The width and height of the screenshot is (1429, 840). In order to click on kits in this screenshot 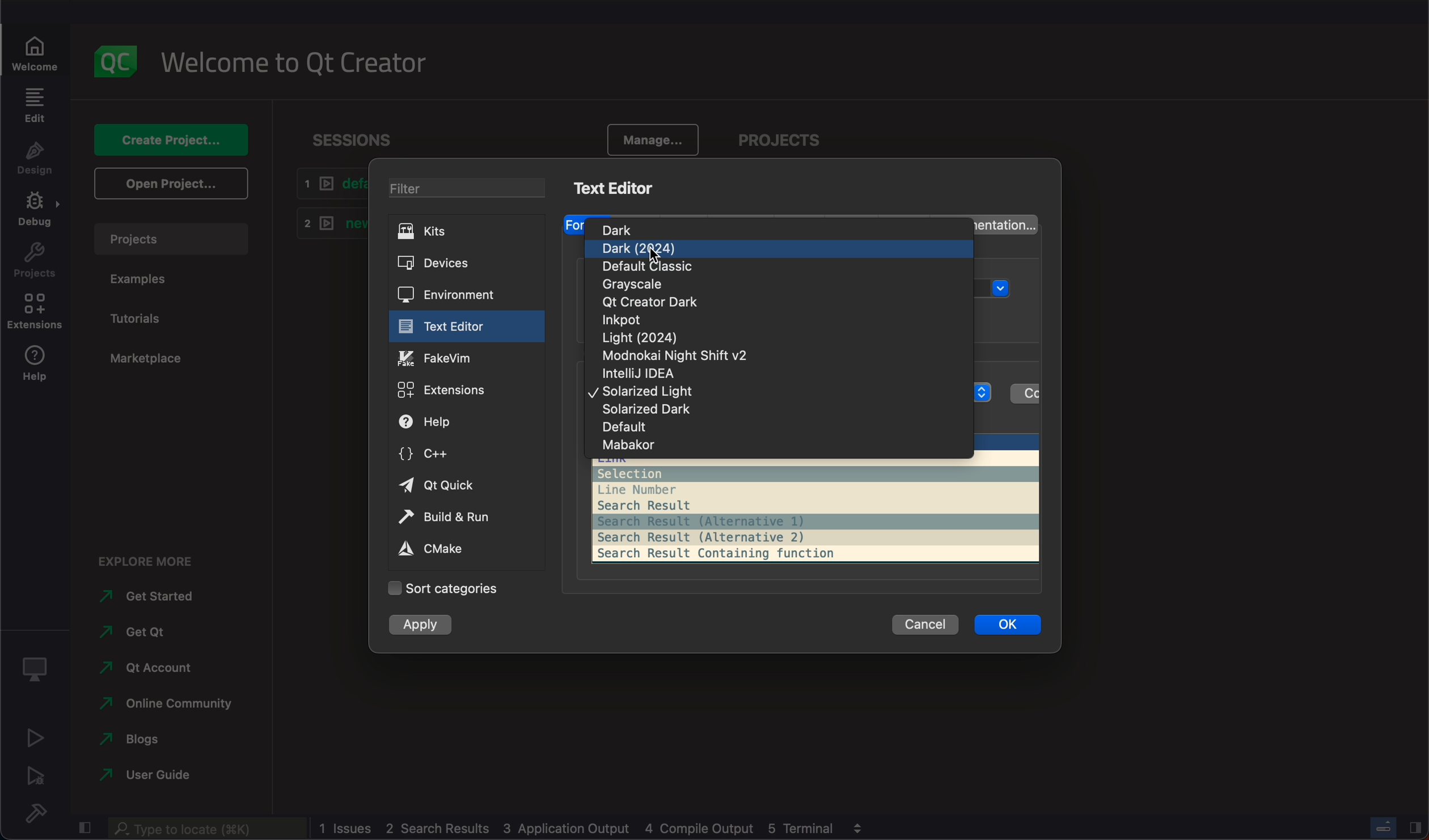, I will do `click(468, 233)`.